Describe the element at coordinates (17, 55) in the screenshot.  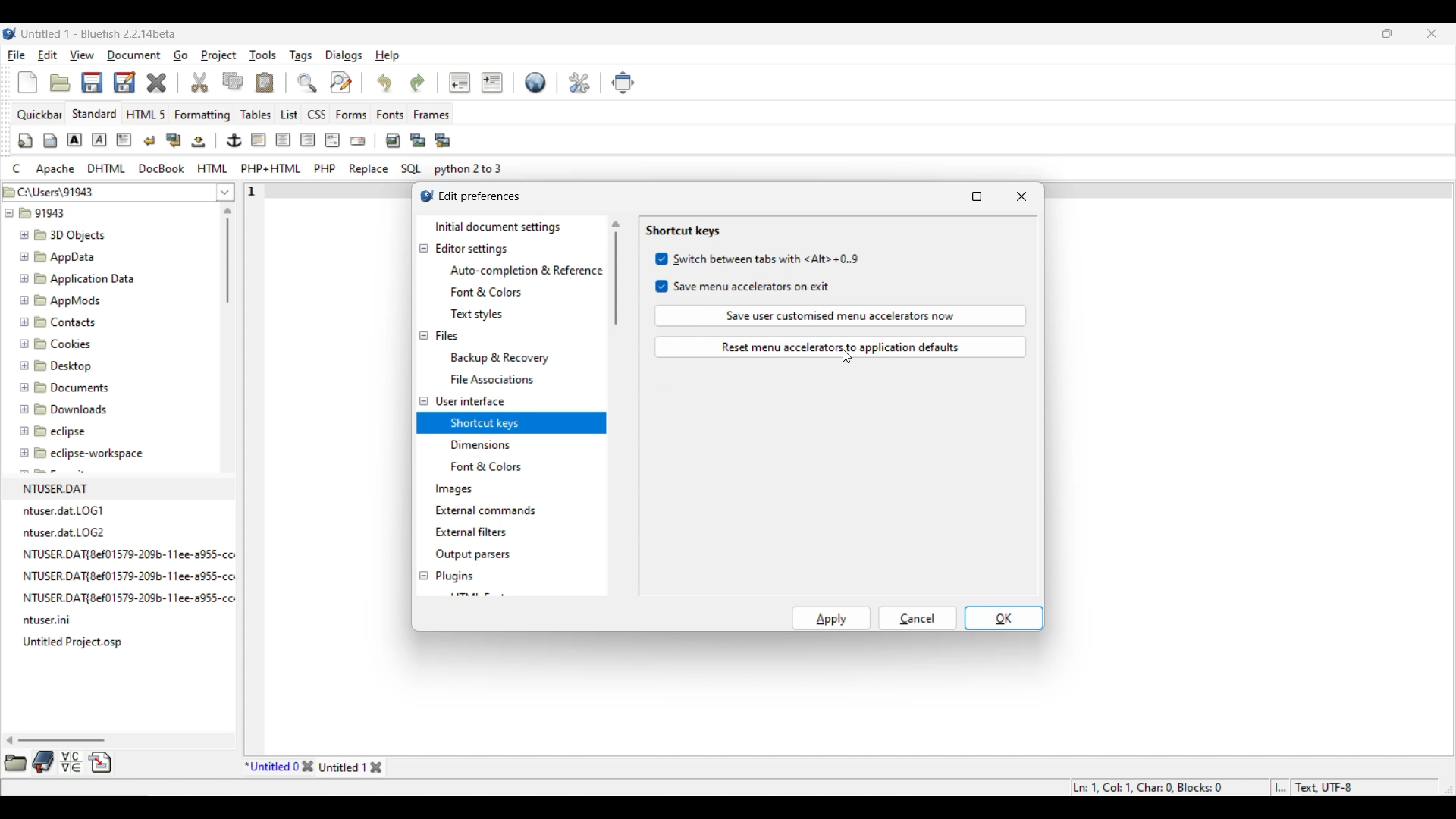
I see `File menu` at that location.